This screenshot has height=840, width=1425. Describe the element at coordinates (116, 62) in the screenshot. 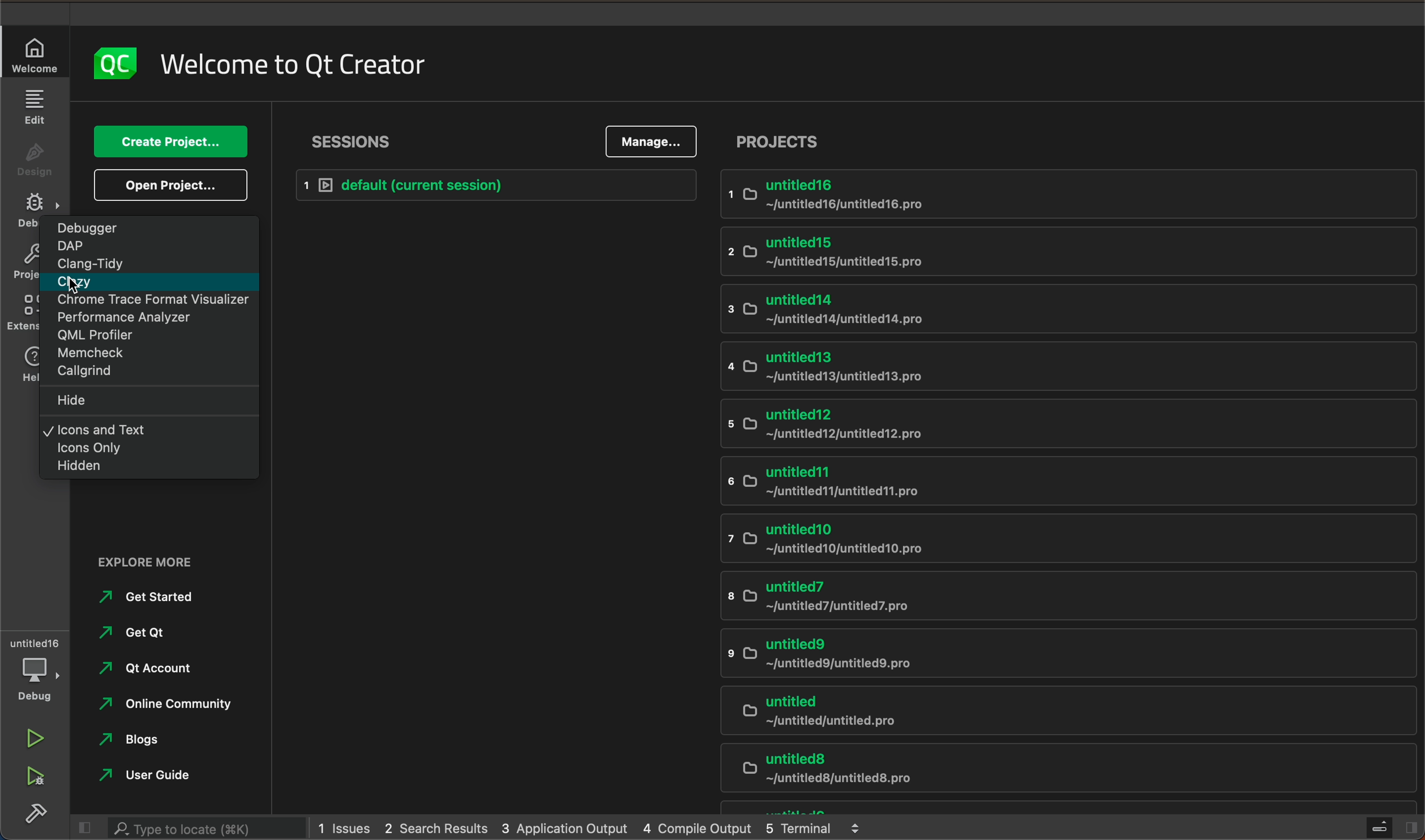

I see `logo` at that location.